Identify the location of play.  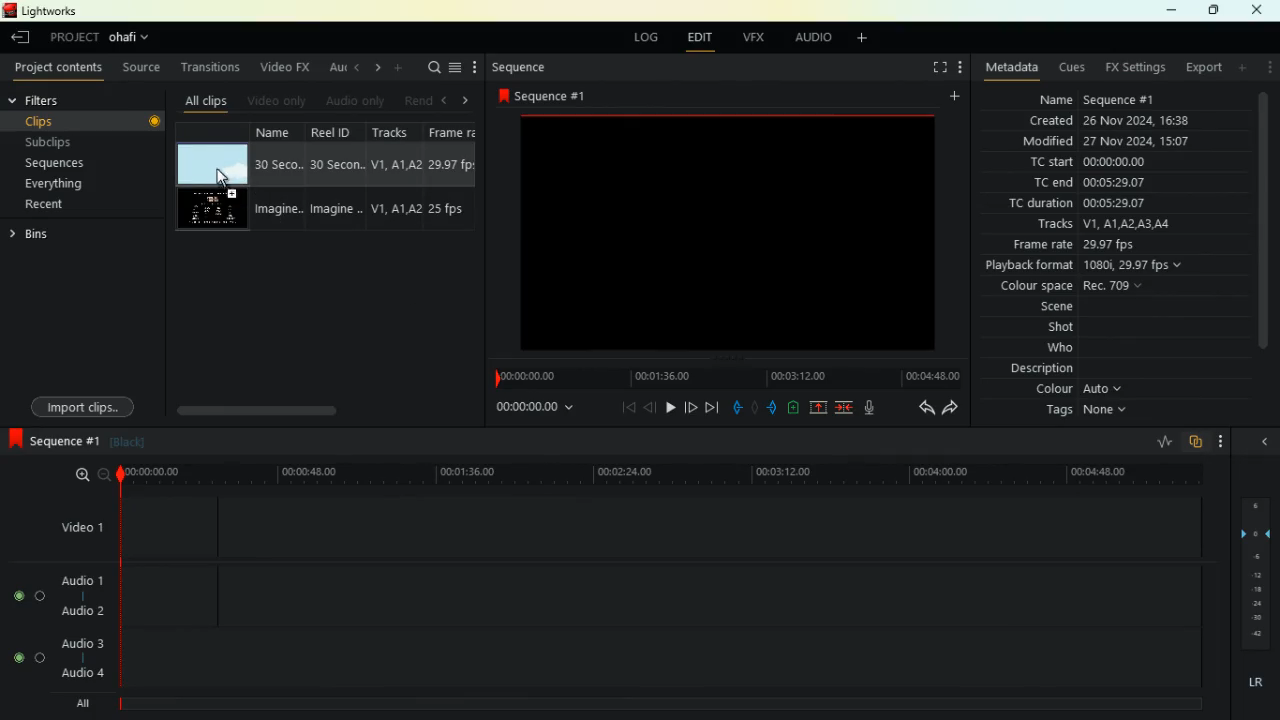
(669, 410).